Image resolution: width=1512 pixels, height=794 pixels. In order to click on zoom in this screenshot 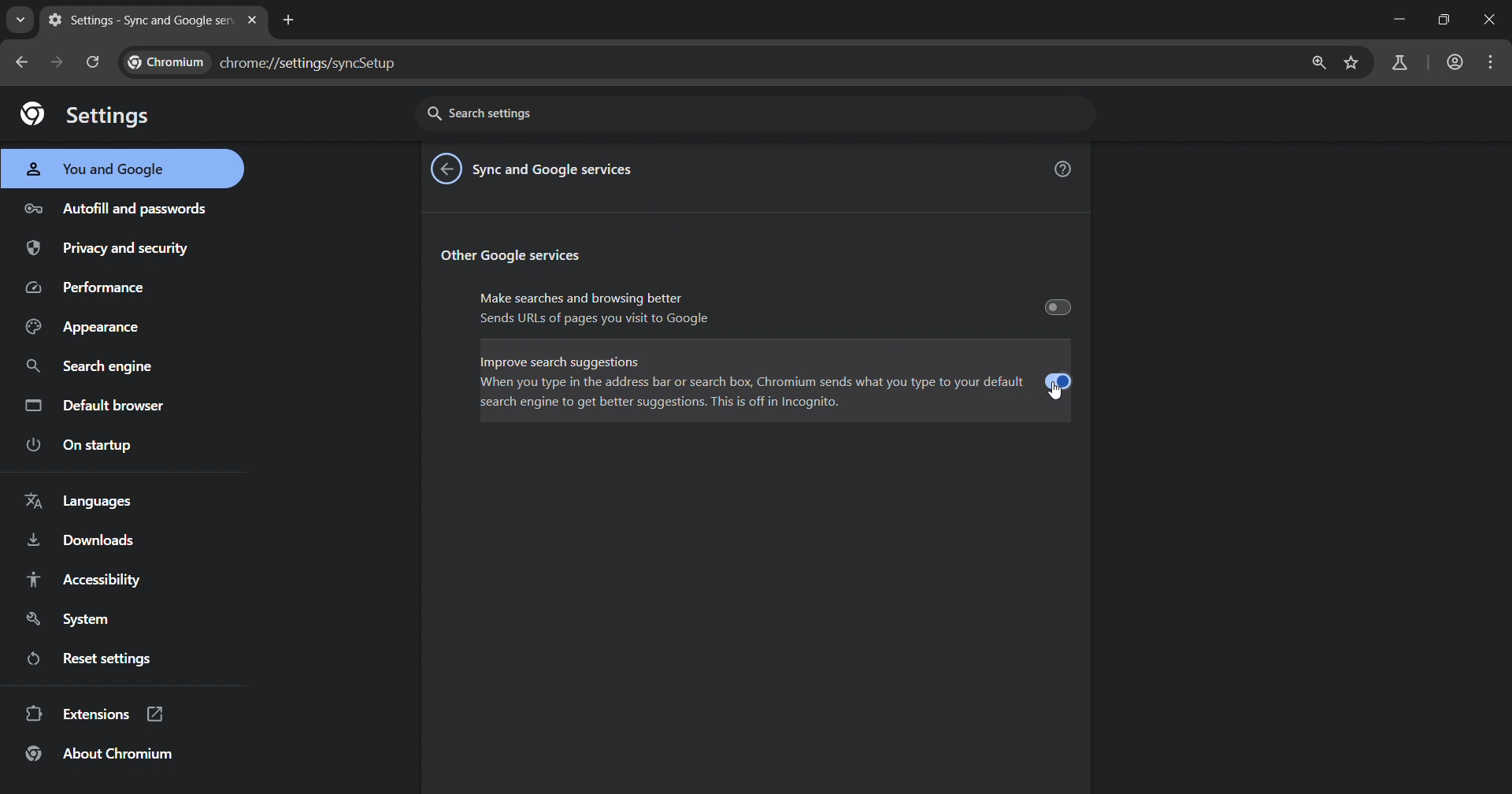, I will do `click(1317, 61)`.